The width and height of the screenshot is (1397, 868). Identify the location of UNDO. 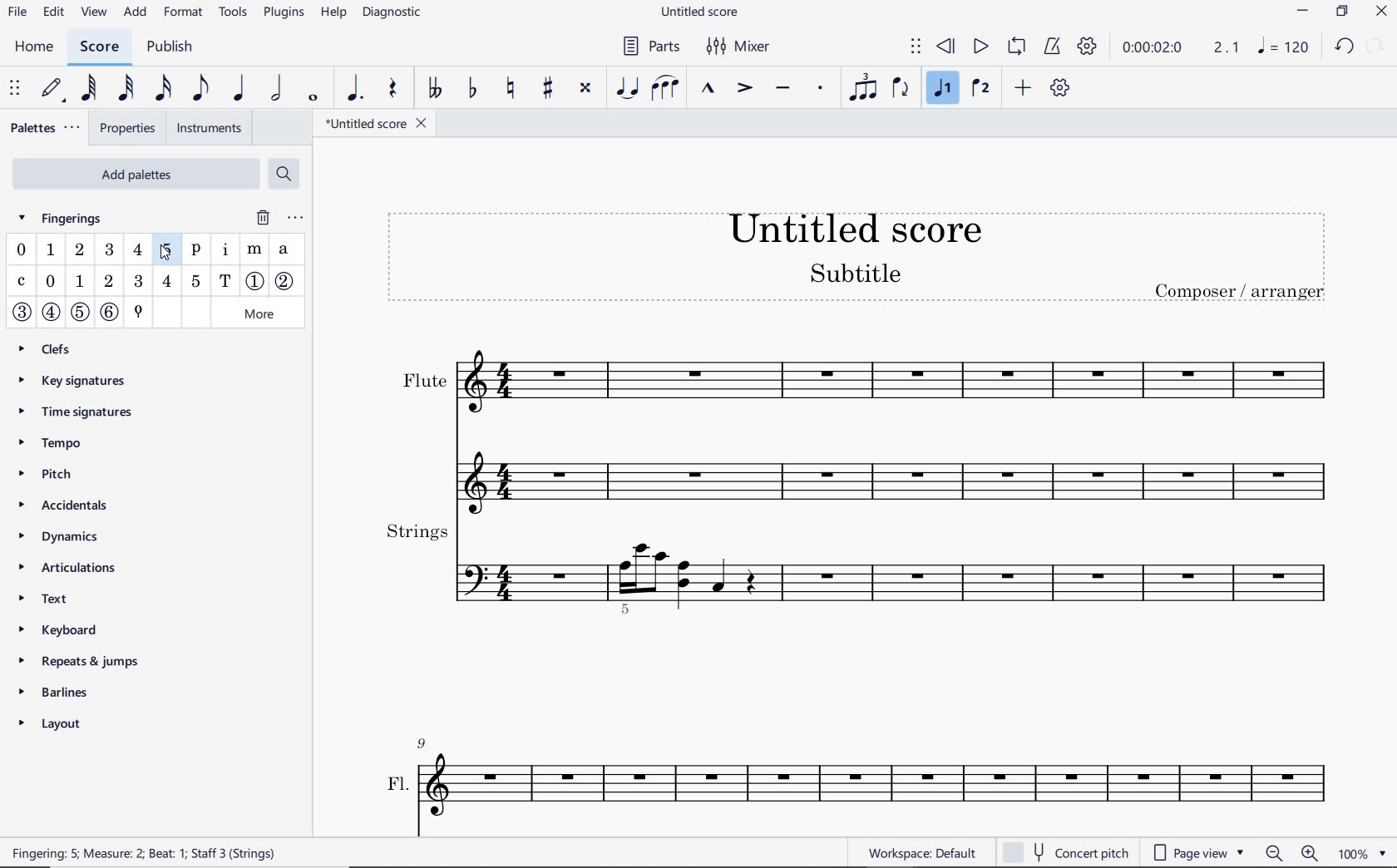
(1344, 46).